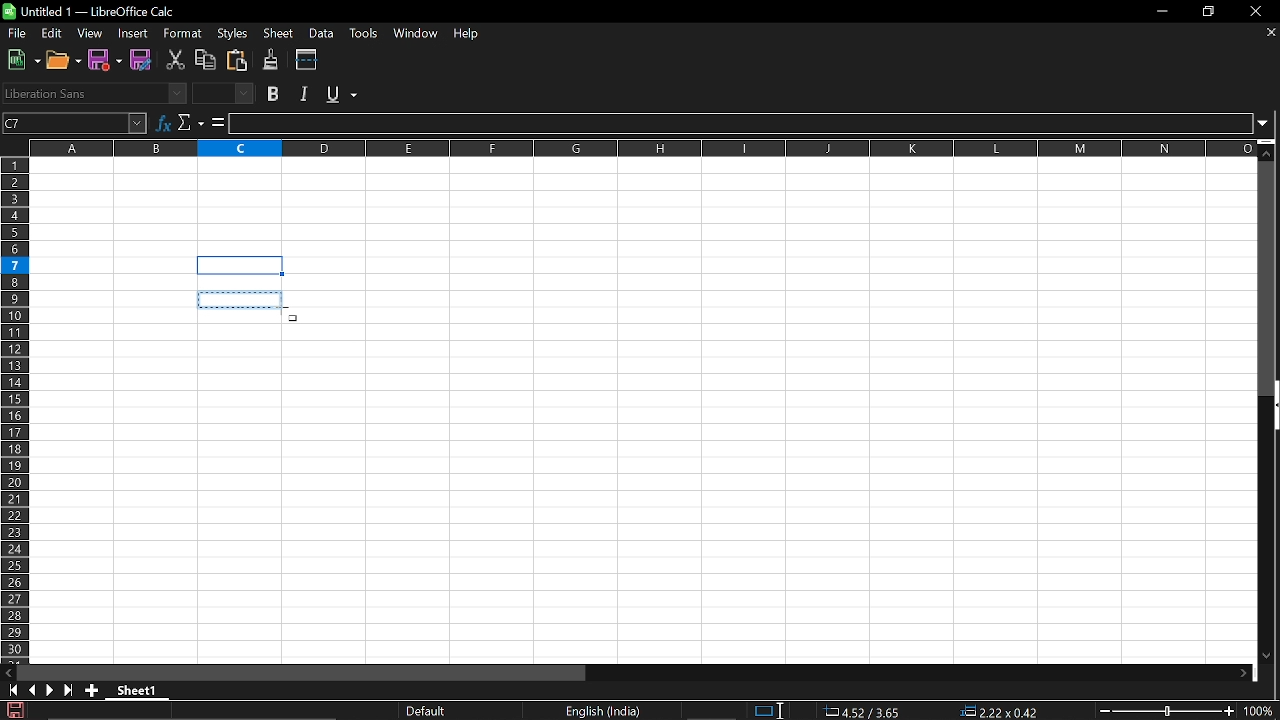  Describe the element at coordinates (1272, 32) in the screenshot. I see `Close document` at that location.